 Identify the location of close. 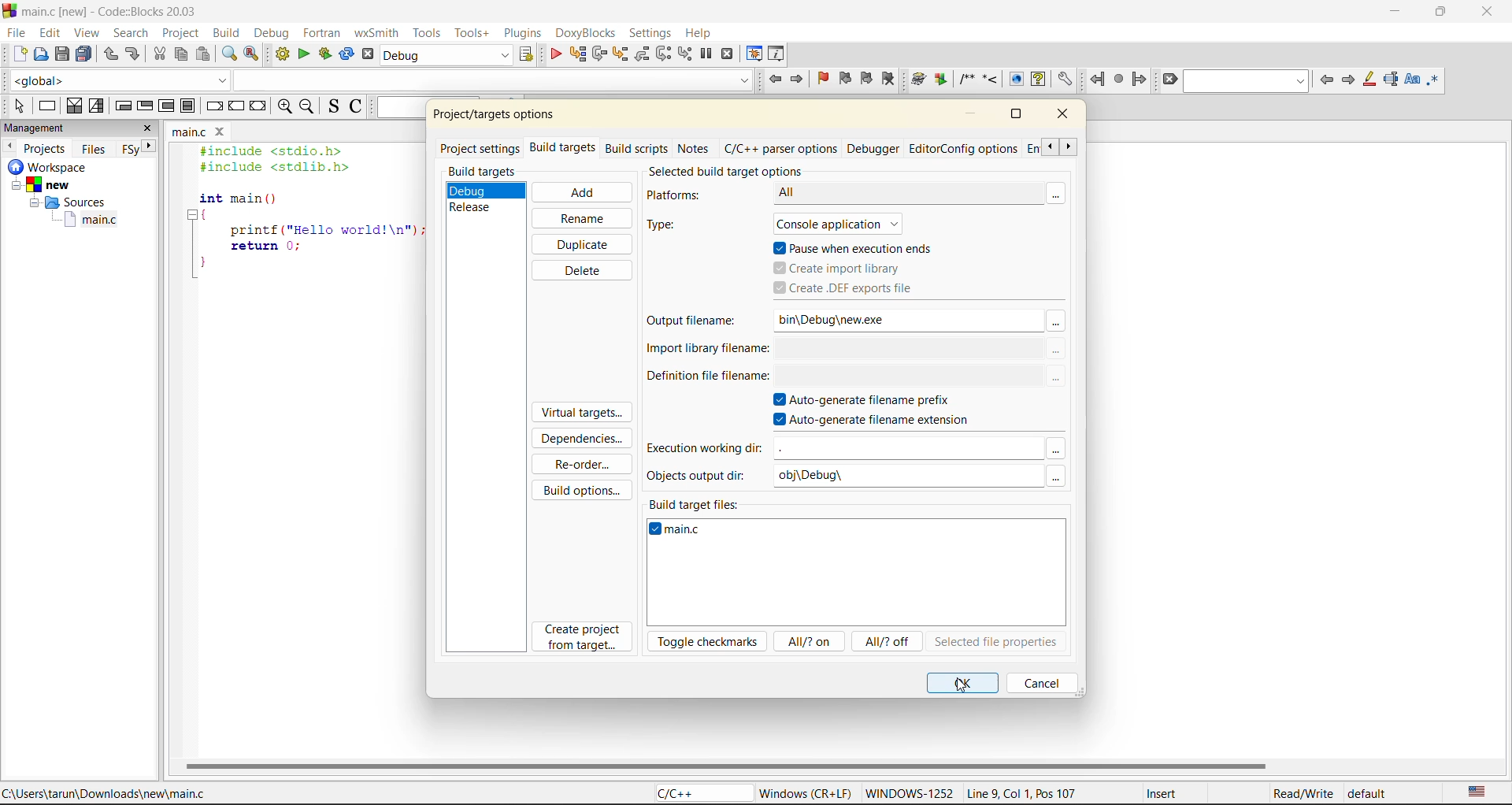
(150, 128).